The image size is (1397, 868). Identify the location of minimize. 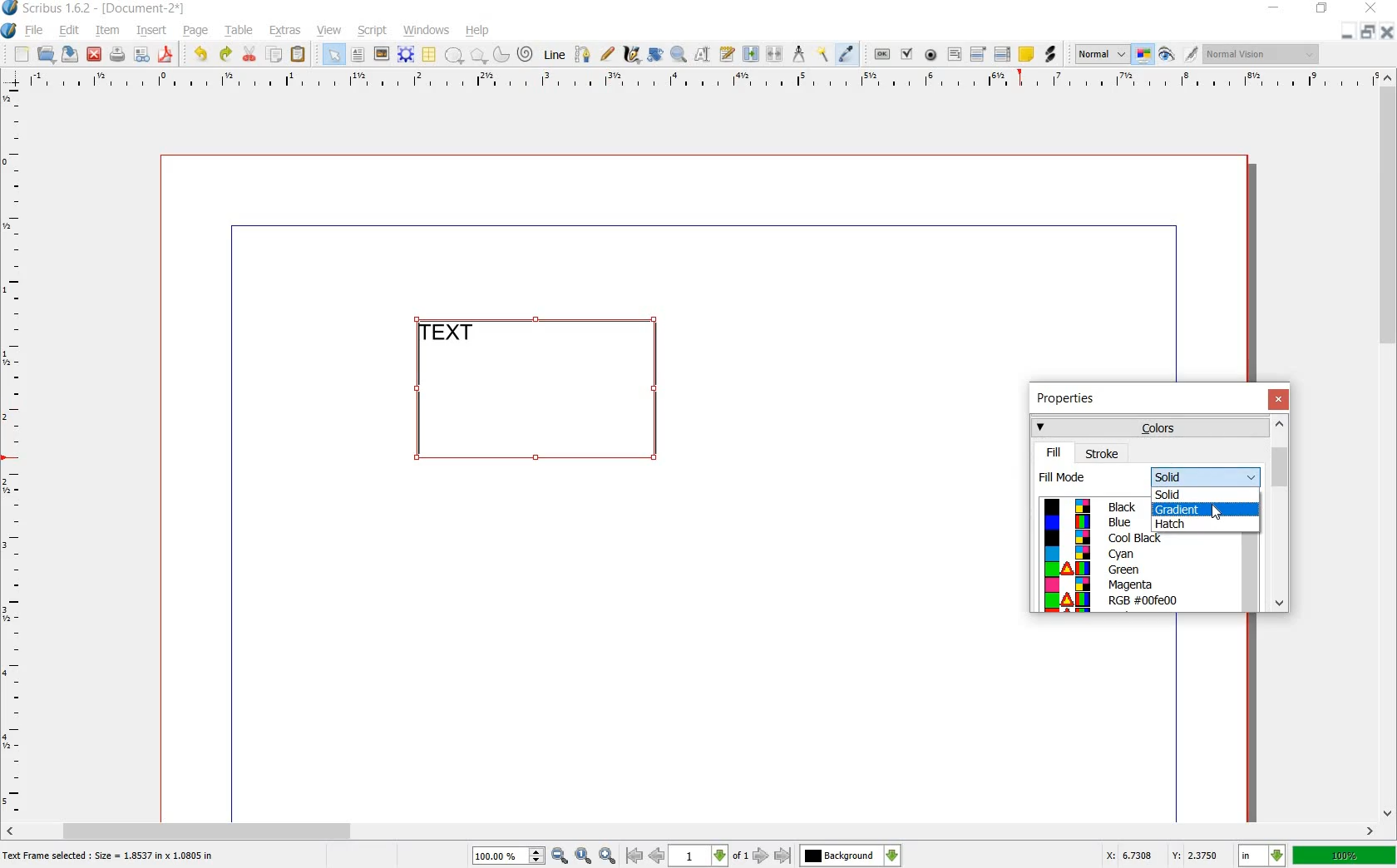
(1348, 33).